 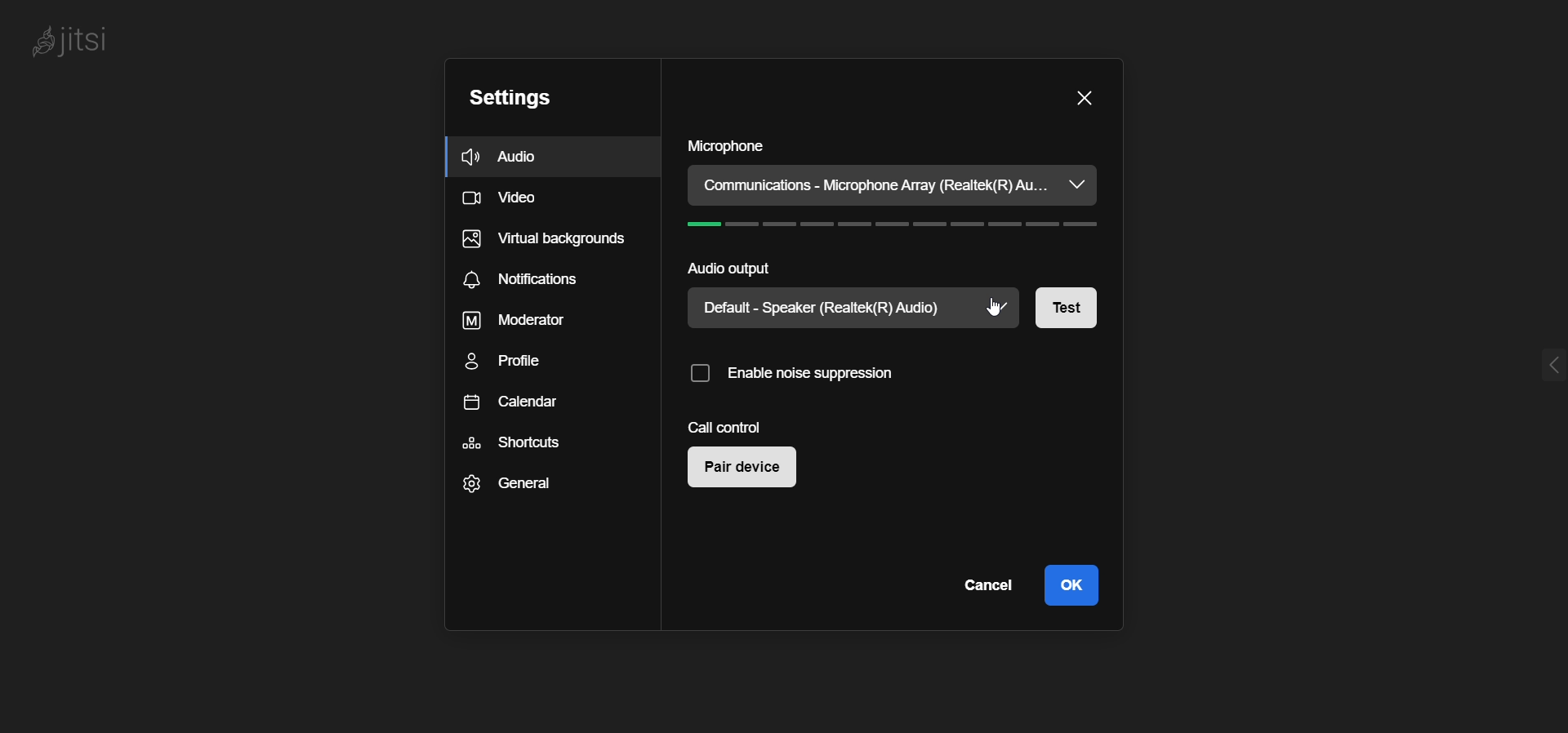 I want to click on notifications, so click(x=523, y=282).